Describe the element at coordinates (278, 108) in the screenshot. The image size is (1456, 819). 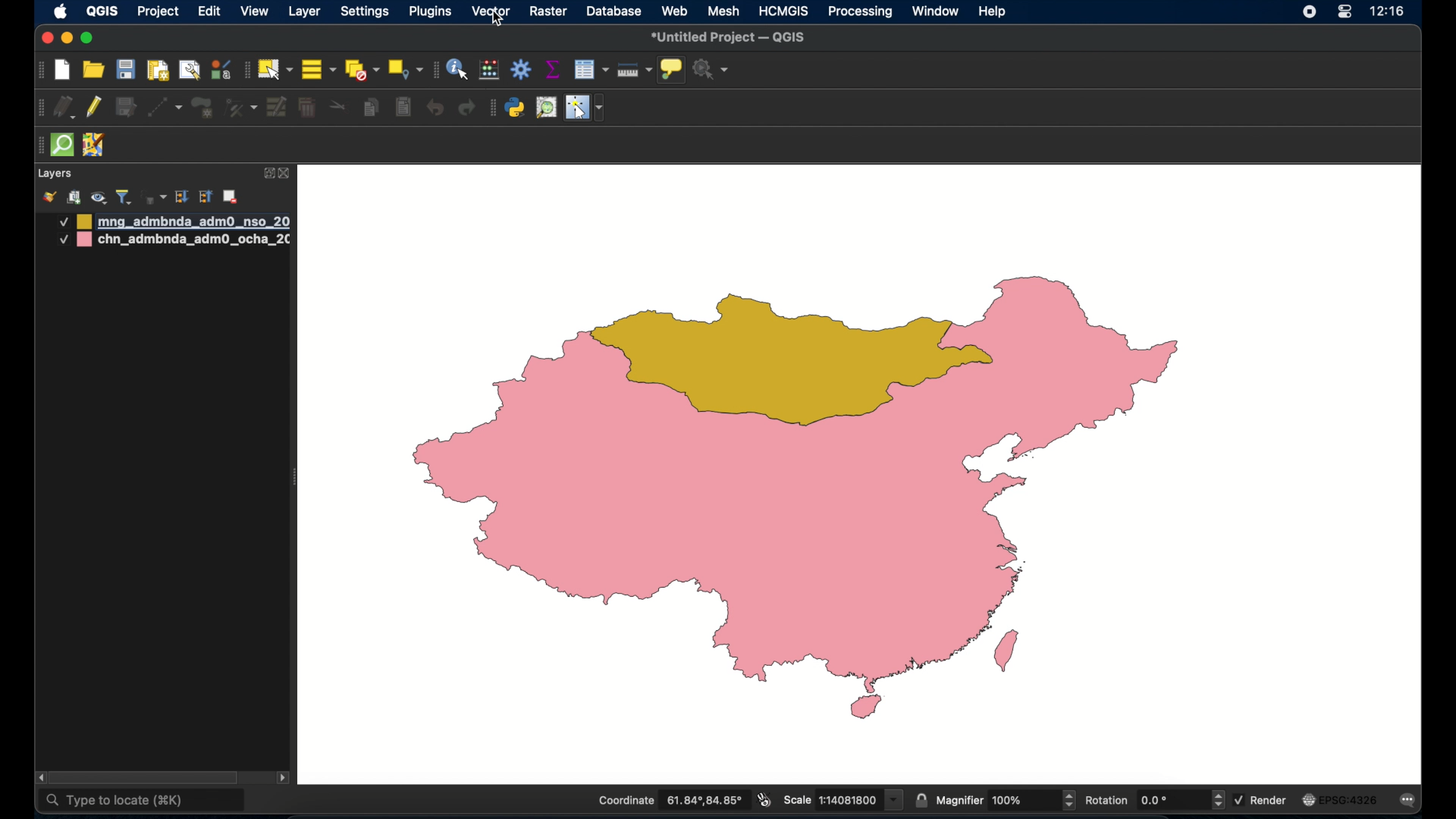
I see `modify attributes` at that location.